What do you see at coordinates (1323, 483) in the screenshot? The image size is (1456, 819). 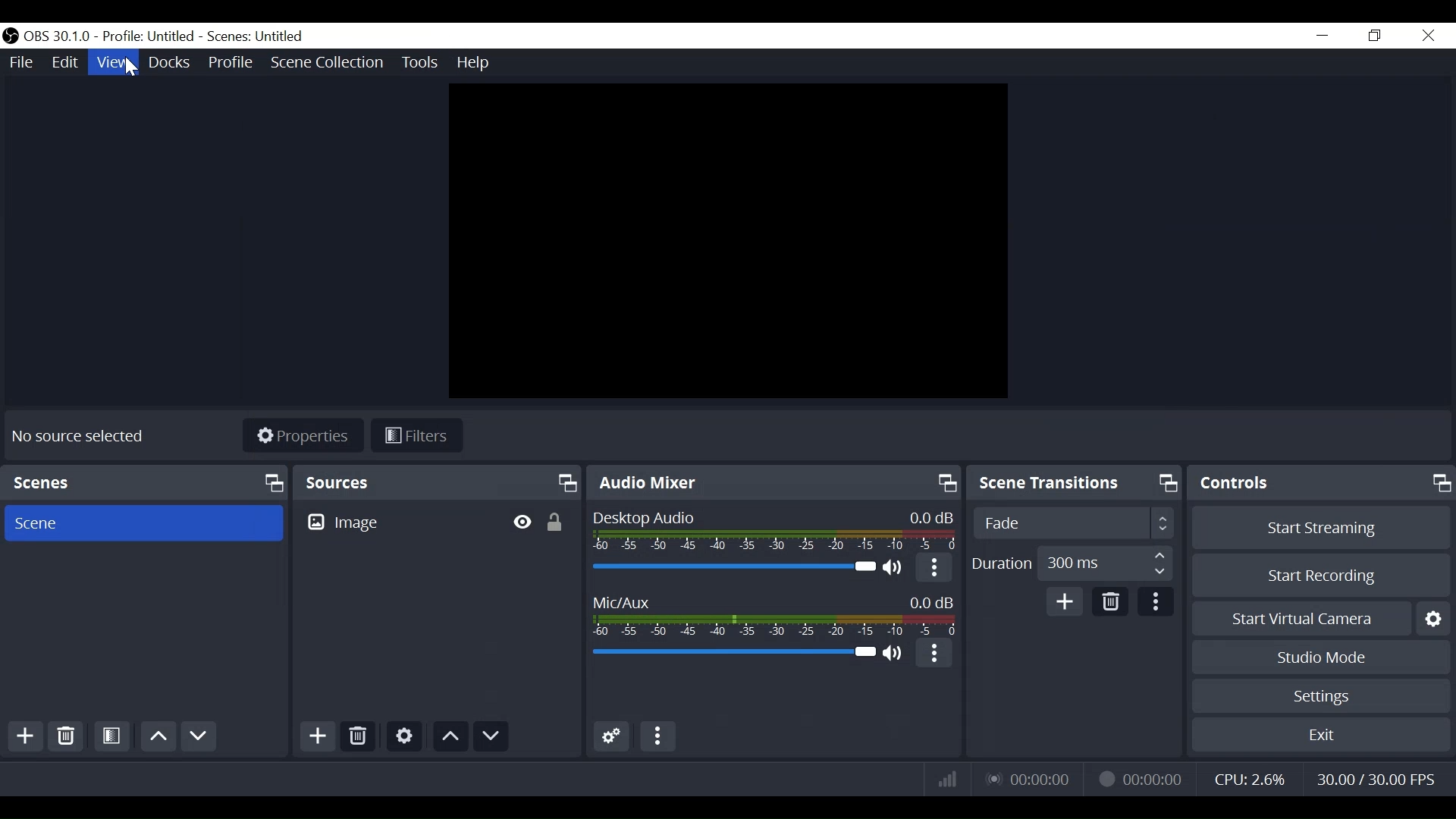 I see `Controls` at bounding box center [1323, 483].